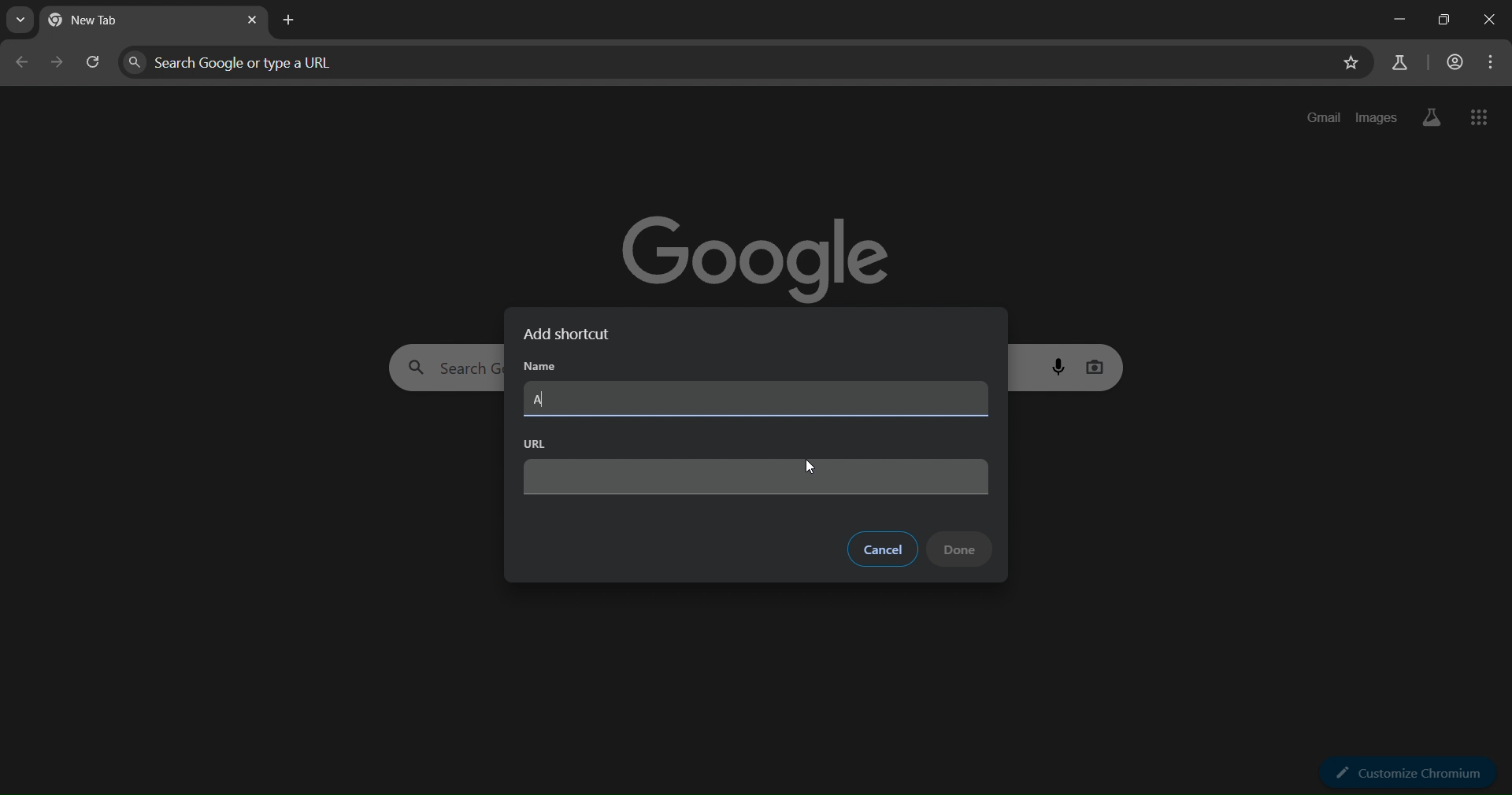 The image size is (1512, 795). Describe the element at coordinates (725, 62) in the screenshot. I see `search google or type a URL` at that location.